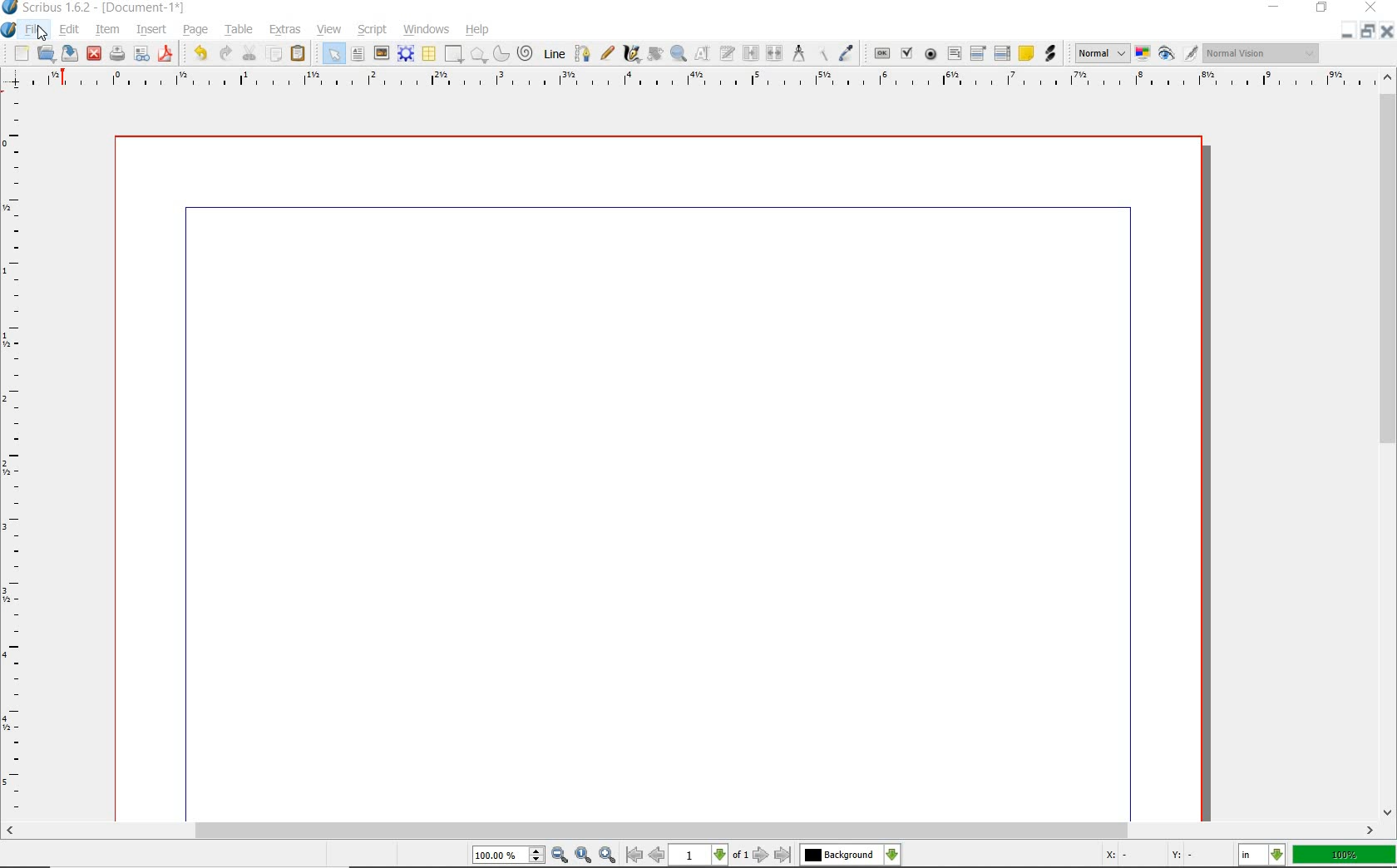 The image size is (1397, 868). I want to click on move to next or previous page, so click(708, 855).